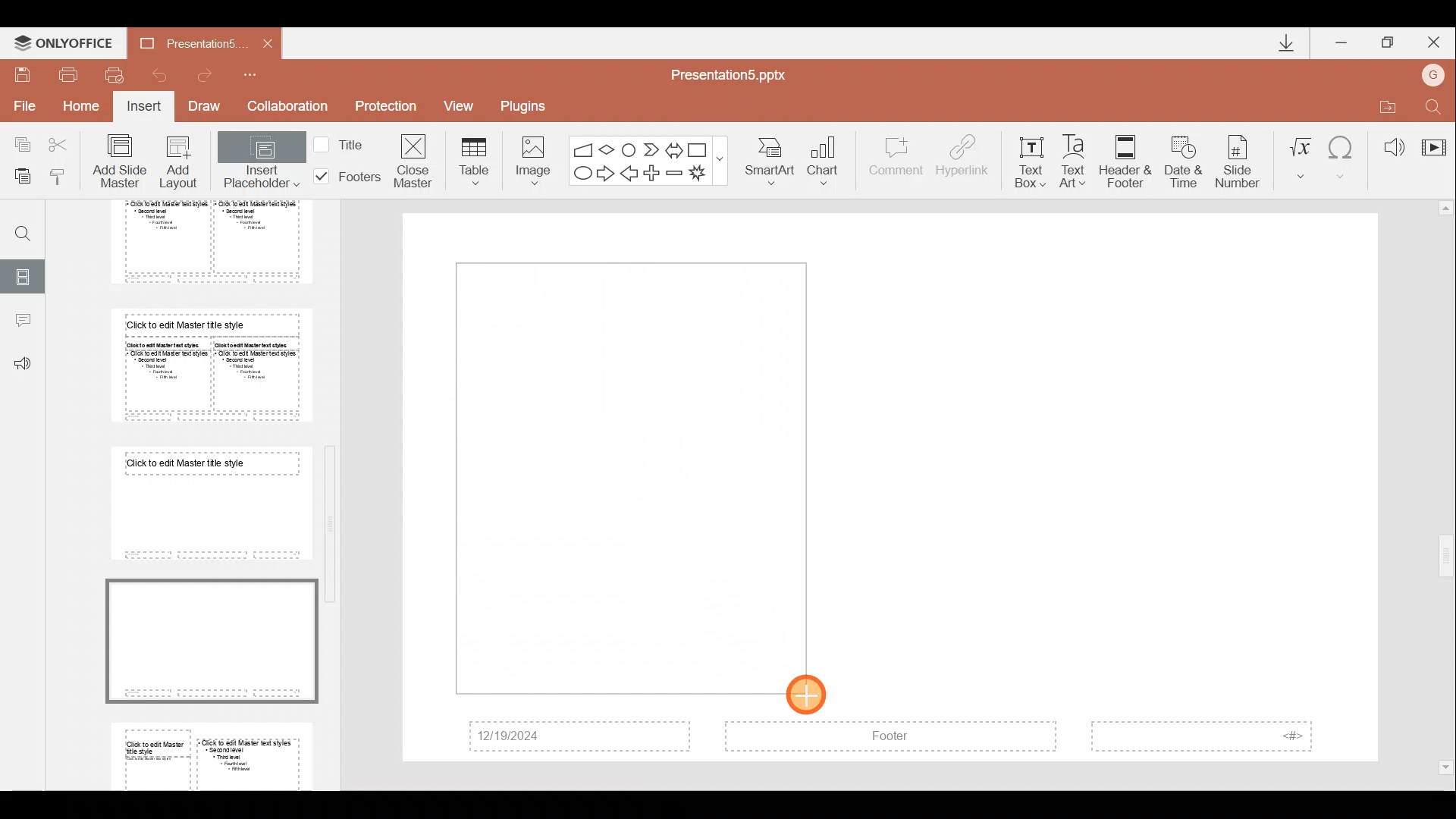 Image resolution: width=1456 pixels, height=819 pixels. I want to click on Slide 6, so click(206, 365).